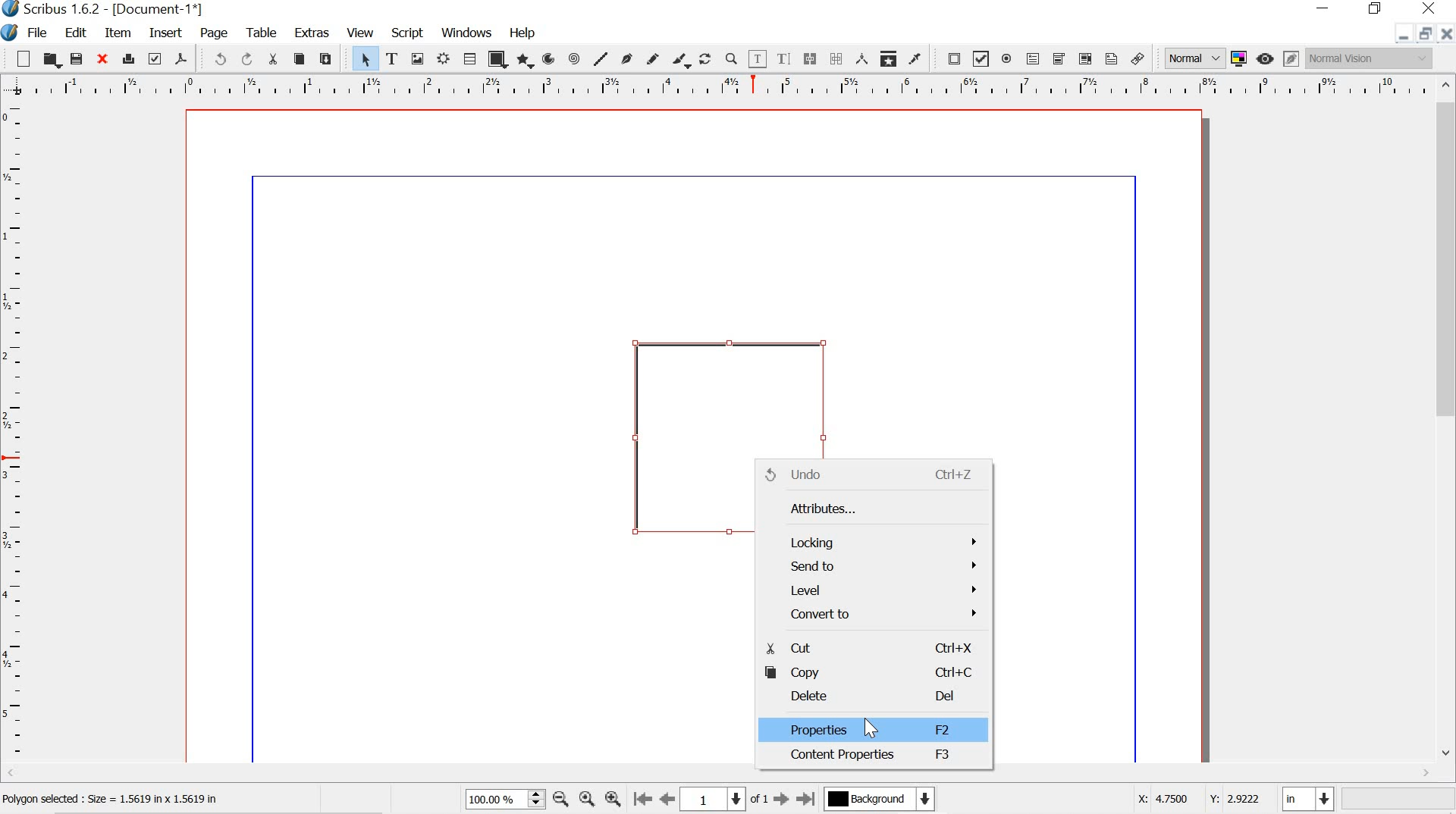  I want to click on print, so click(129, 58).